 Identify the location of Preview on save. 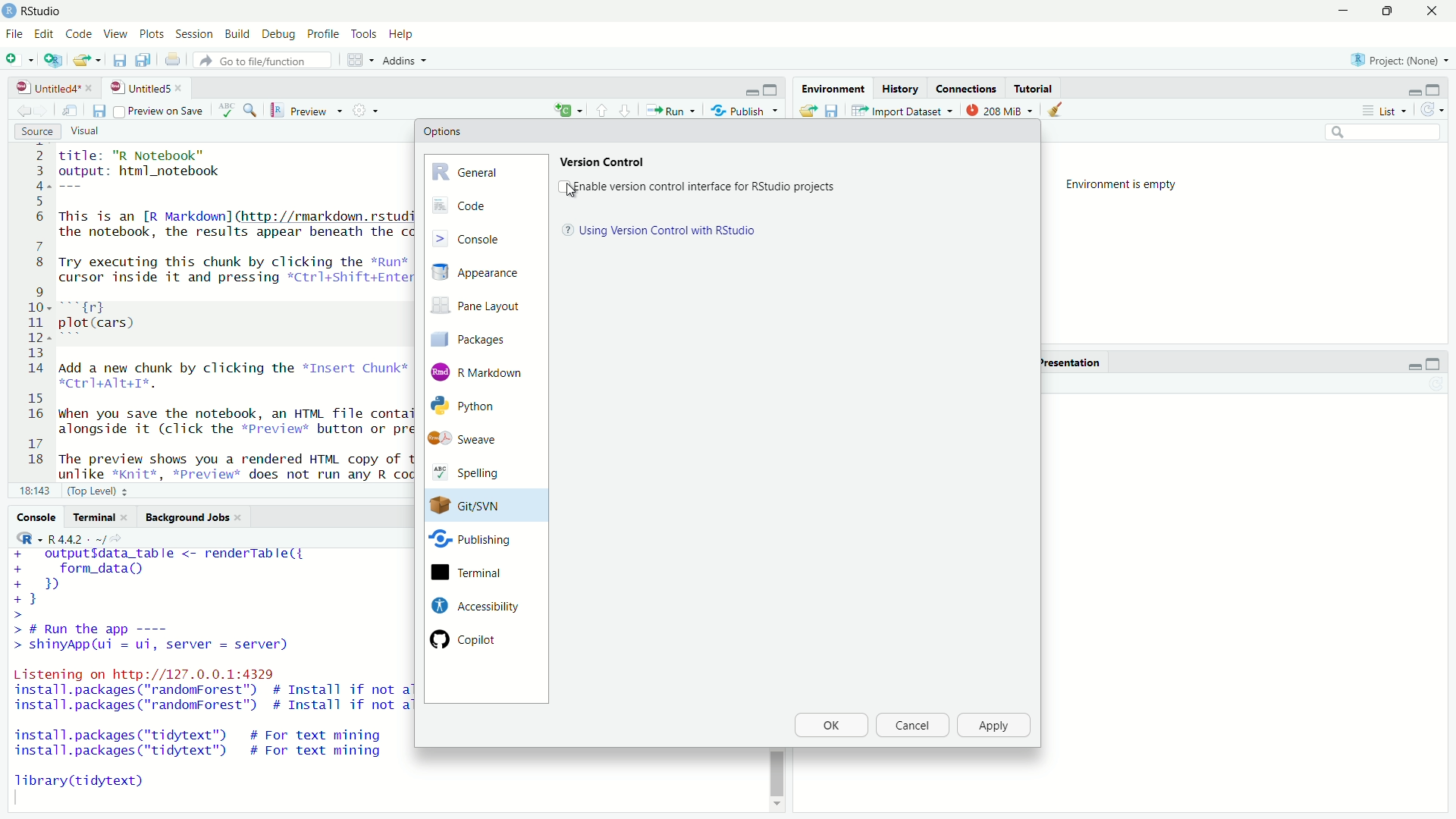
(158, 111).